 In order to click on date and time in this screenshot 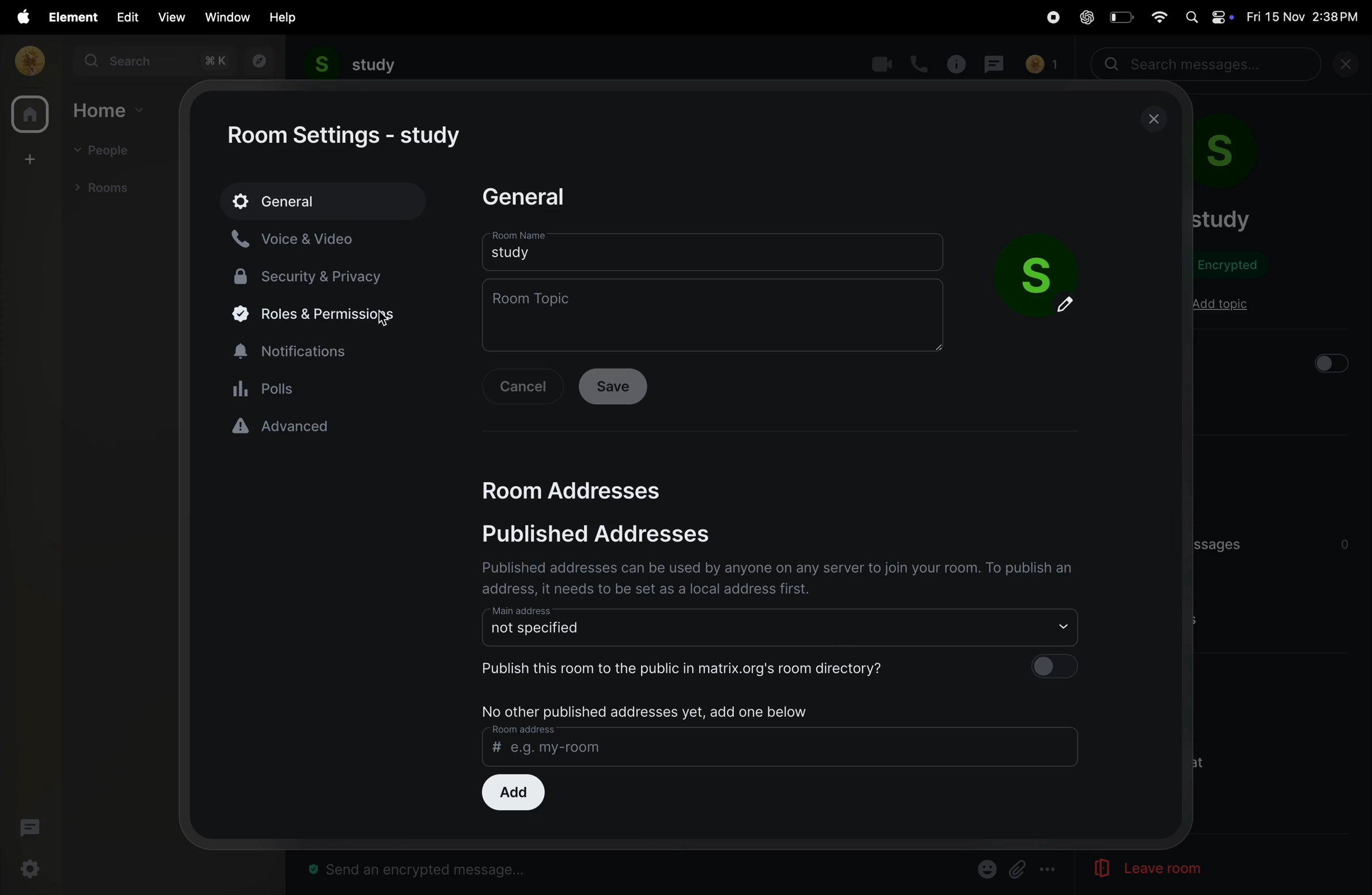, I will do `click(1306, 17)`.